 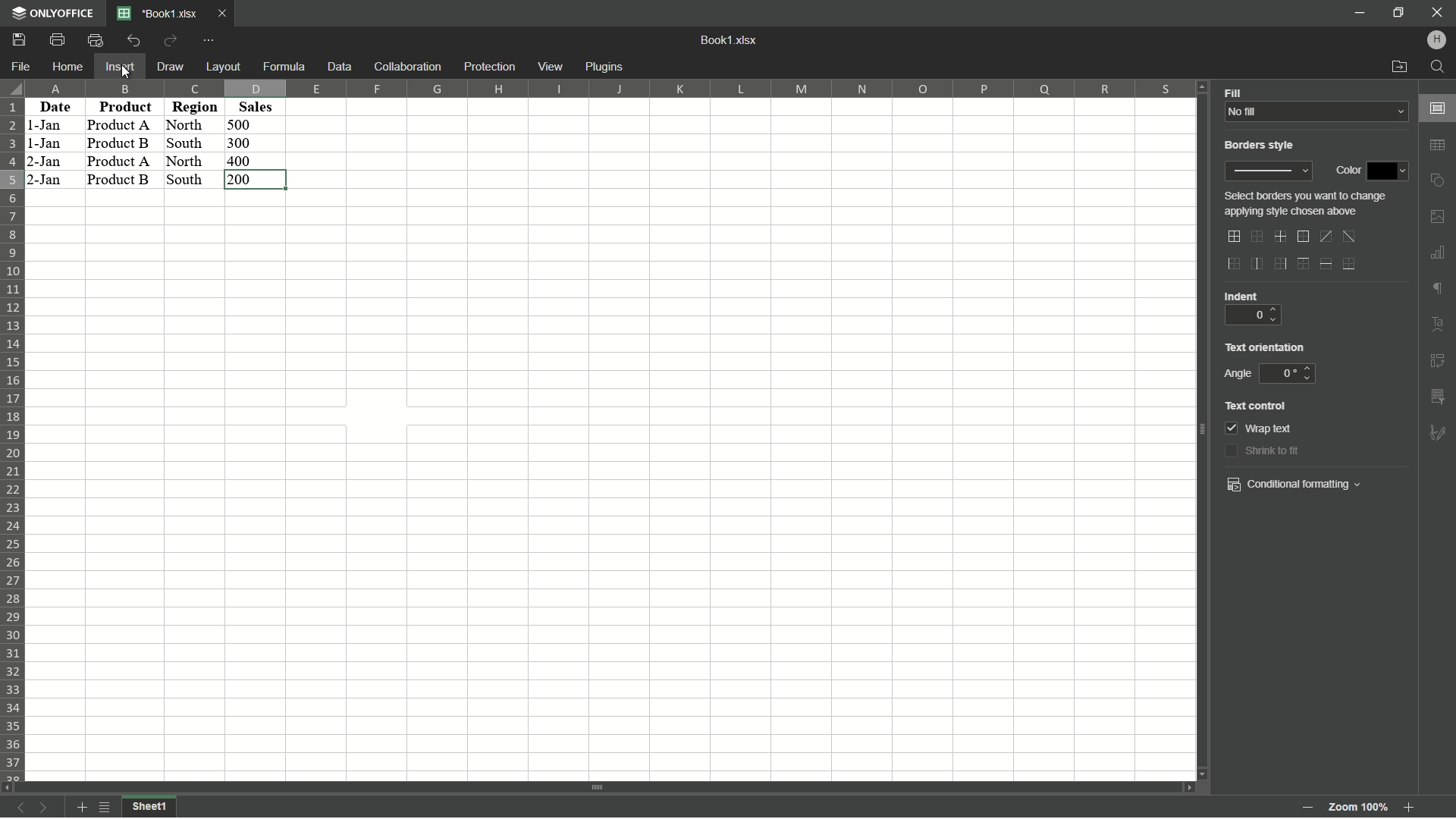 I want to click on cursor, so click(x=130, y=73).